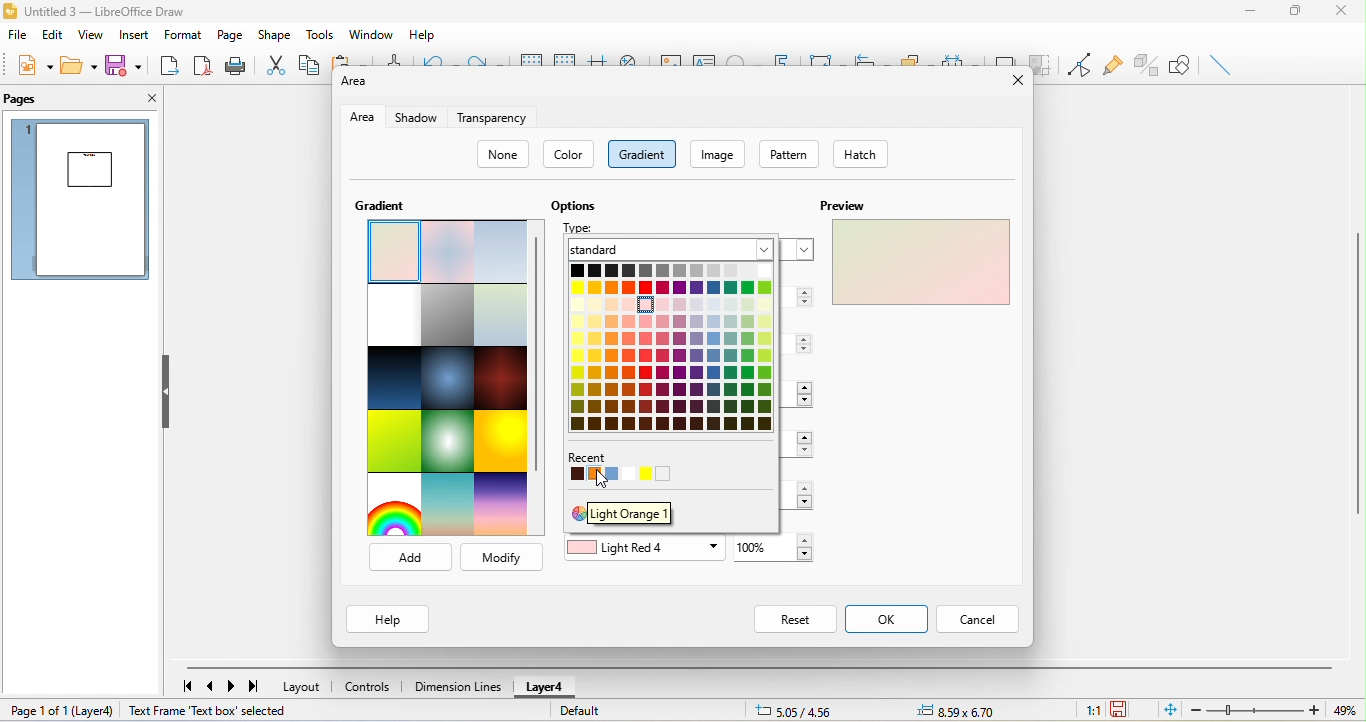 The height and width of the screenshot is (722, 1366). What do you see at coordinates (604, 478) in the screenshot?
I see `cursor movement` at bounding box center [604, 478].